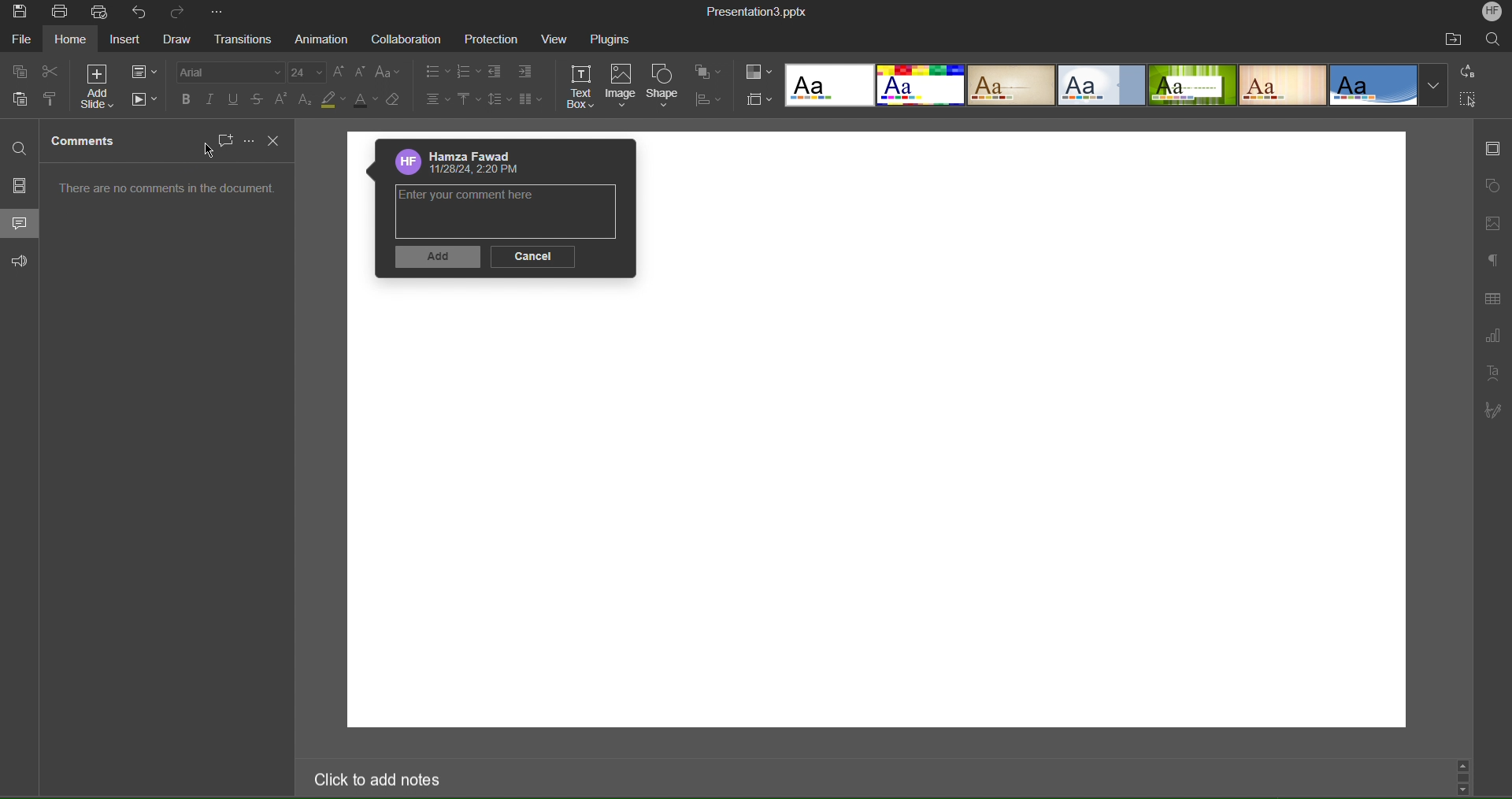 The width and height of the screenshot is (1512, 799). What do you see at coordinates (493, 40) in the screenshot?
I see `Protection` at bounding box center [493, 40].